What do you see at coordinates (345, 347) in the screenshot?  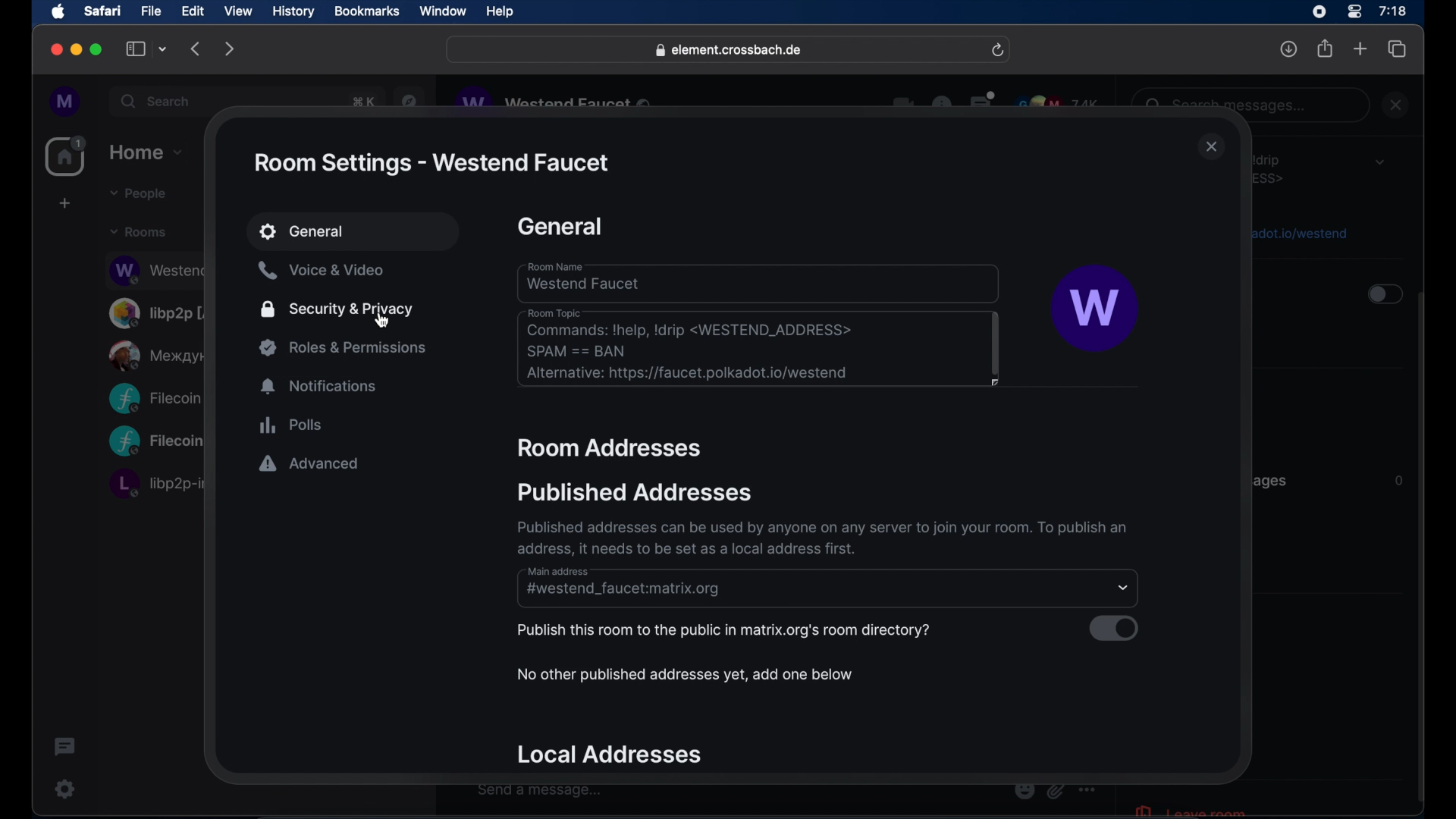 I see `roles and permissions` at bounding box center [345, 347].